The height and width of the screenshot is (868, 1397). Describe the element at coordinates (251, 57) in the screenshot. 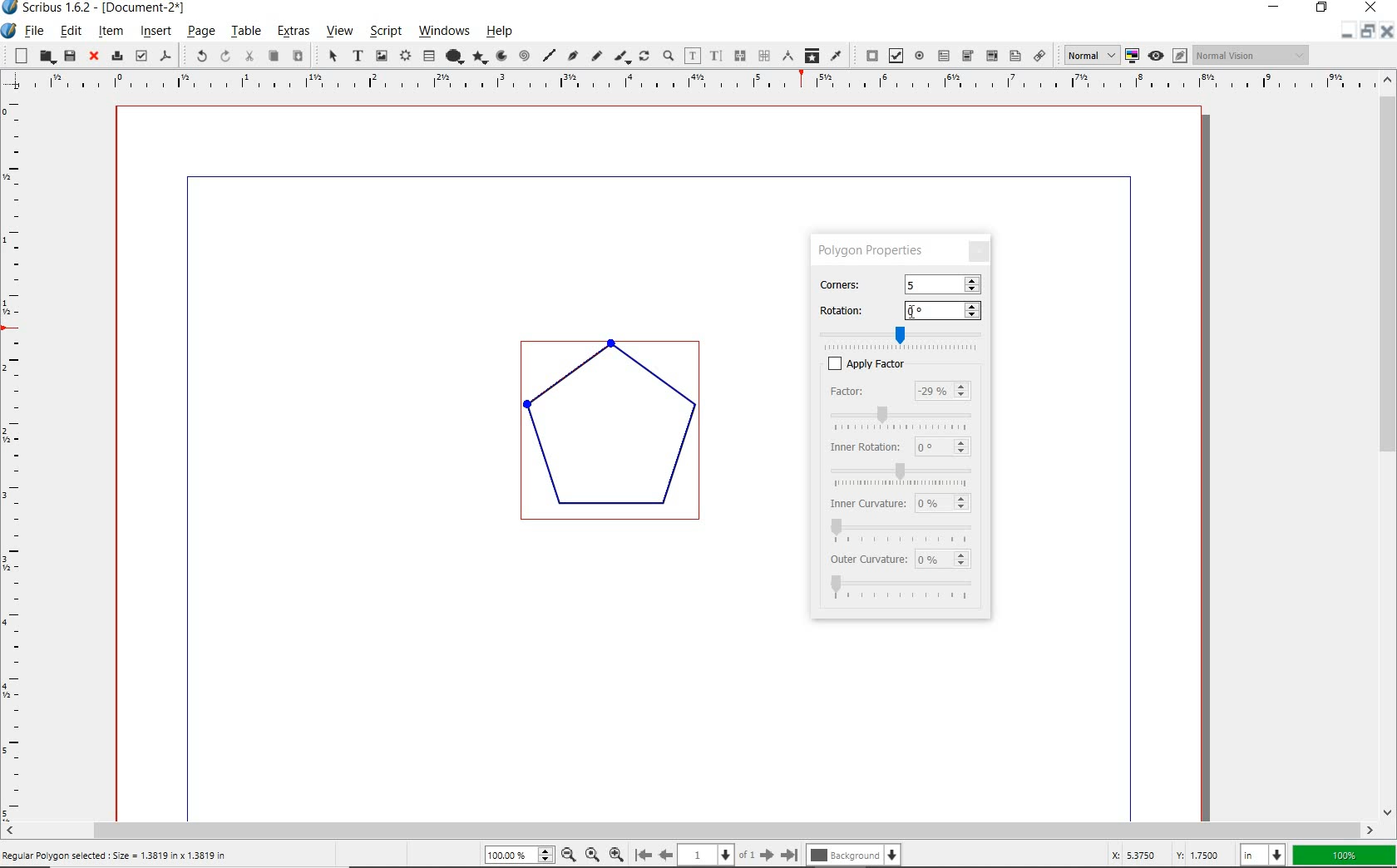

I see `cut` at that location.